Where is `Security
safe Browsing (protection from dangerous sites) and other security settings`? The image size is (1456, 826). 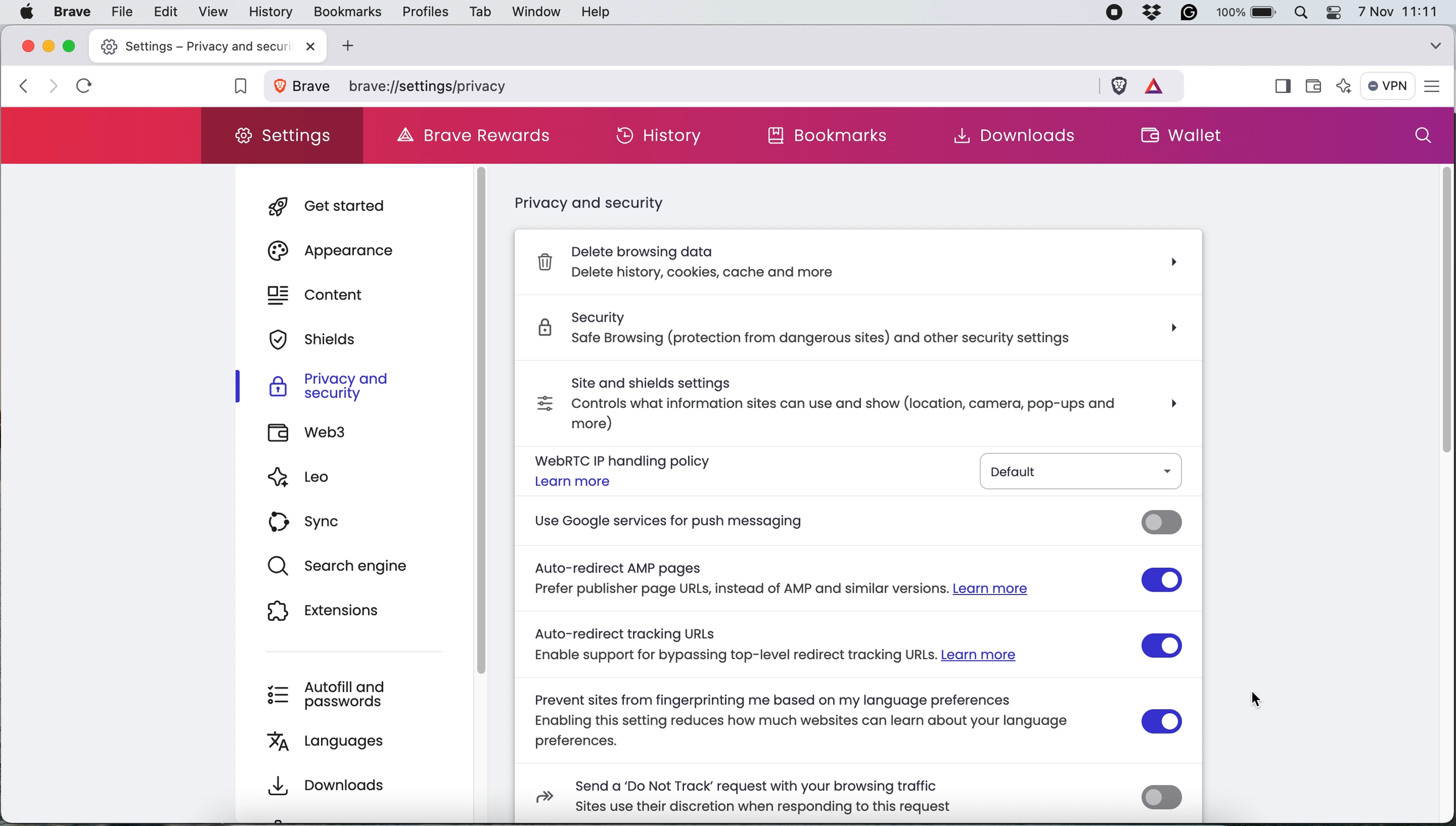
Security
safe Browsing (protection from dangerous sites) and other security settings is located at coordinates (859, 327).